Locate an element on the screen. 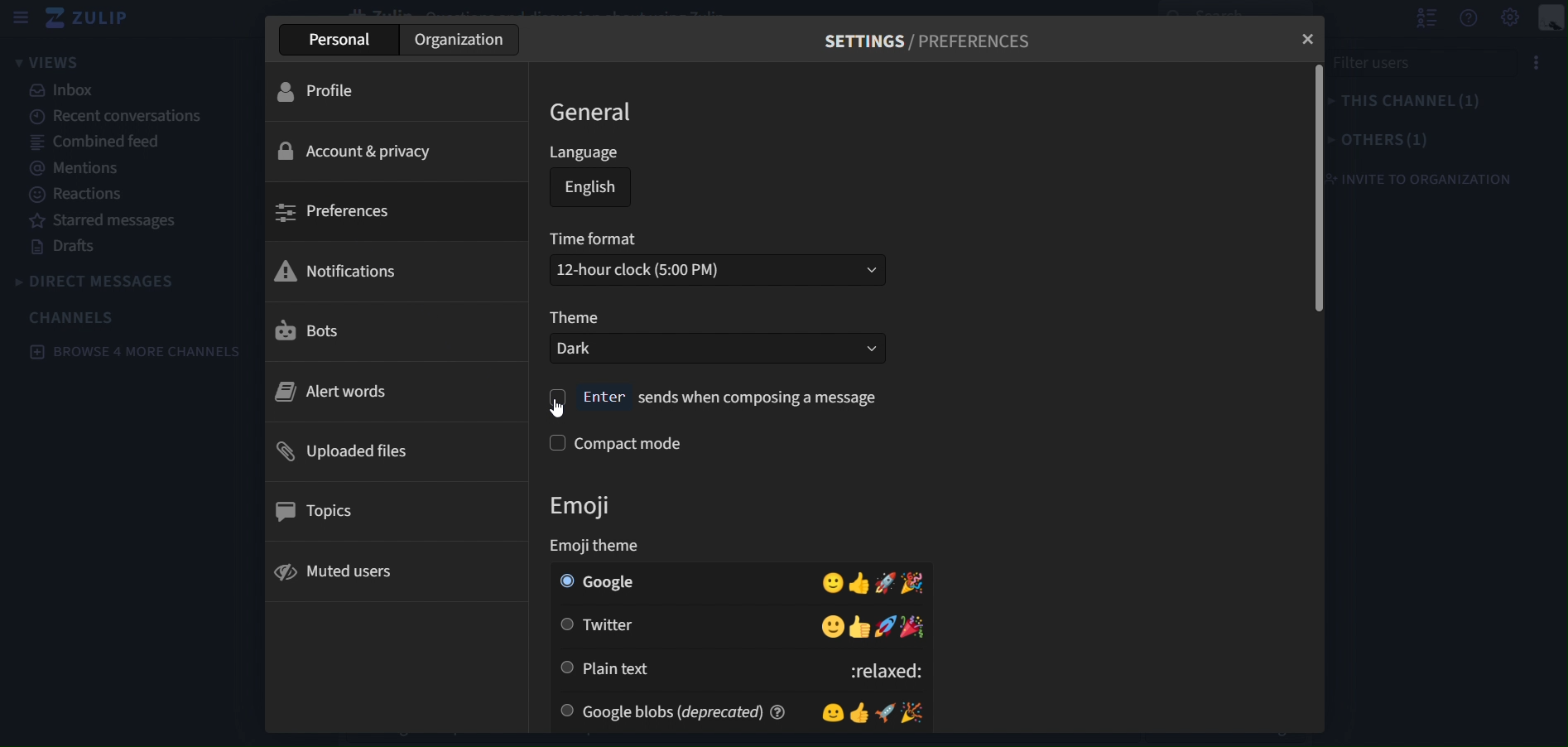 The height and width of the screenshot is (747, 1568). bots is located at coordinates (385, 332).